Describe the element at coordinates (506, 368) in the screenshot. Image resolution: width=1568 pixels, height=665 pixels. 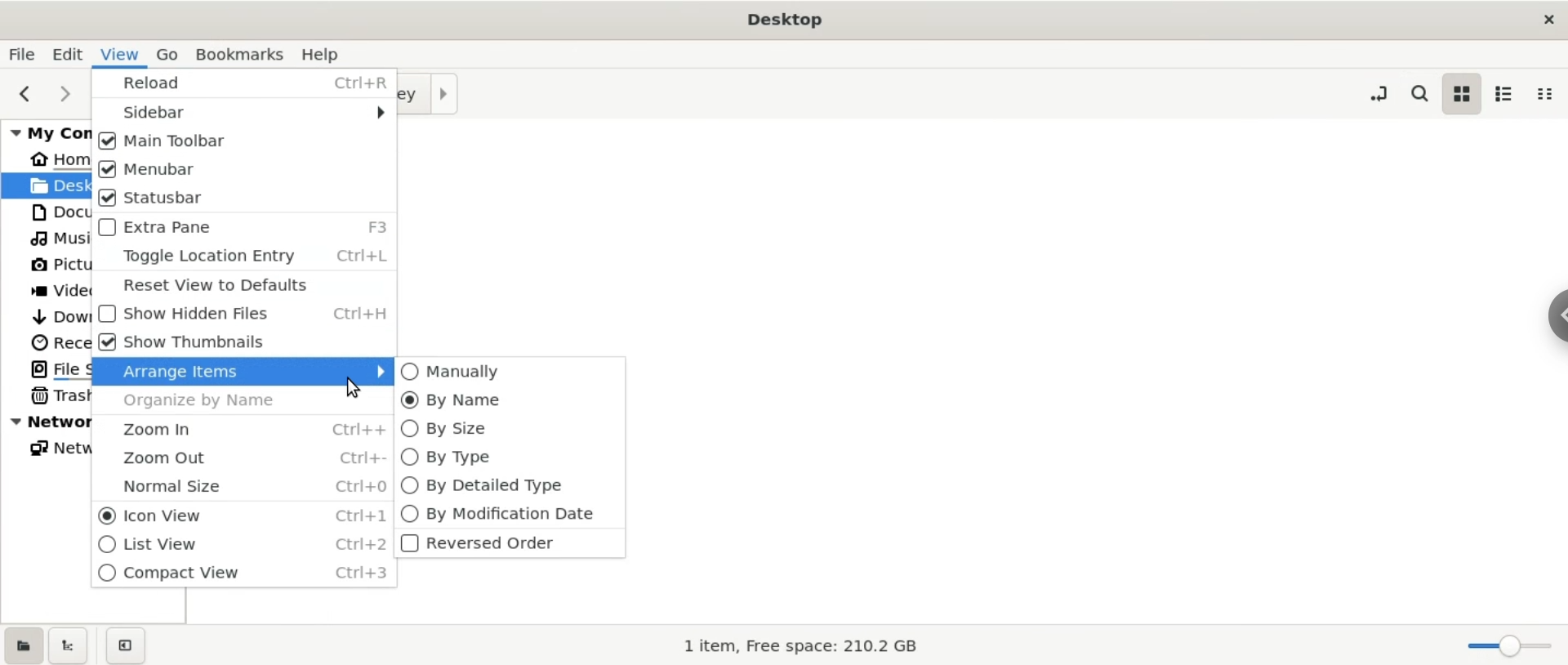
I see `manually` at that location.